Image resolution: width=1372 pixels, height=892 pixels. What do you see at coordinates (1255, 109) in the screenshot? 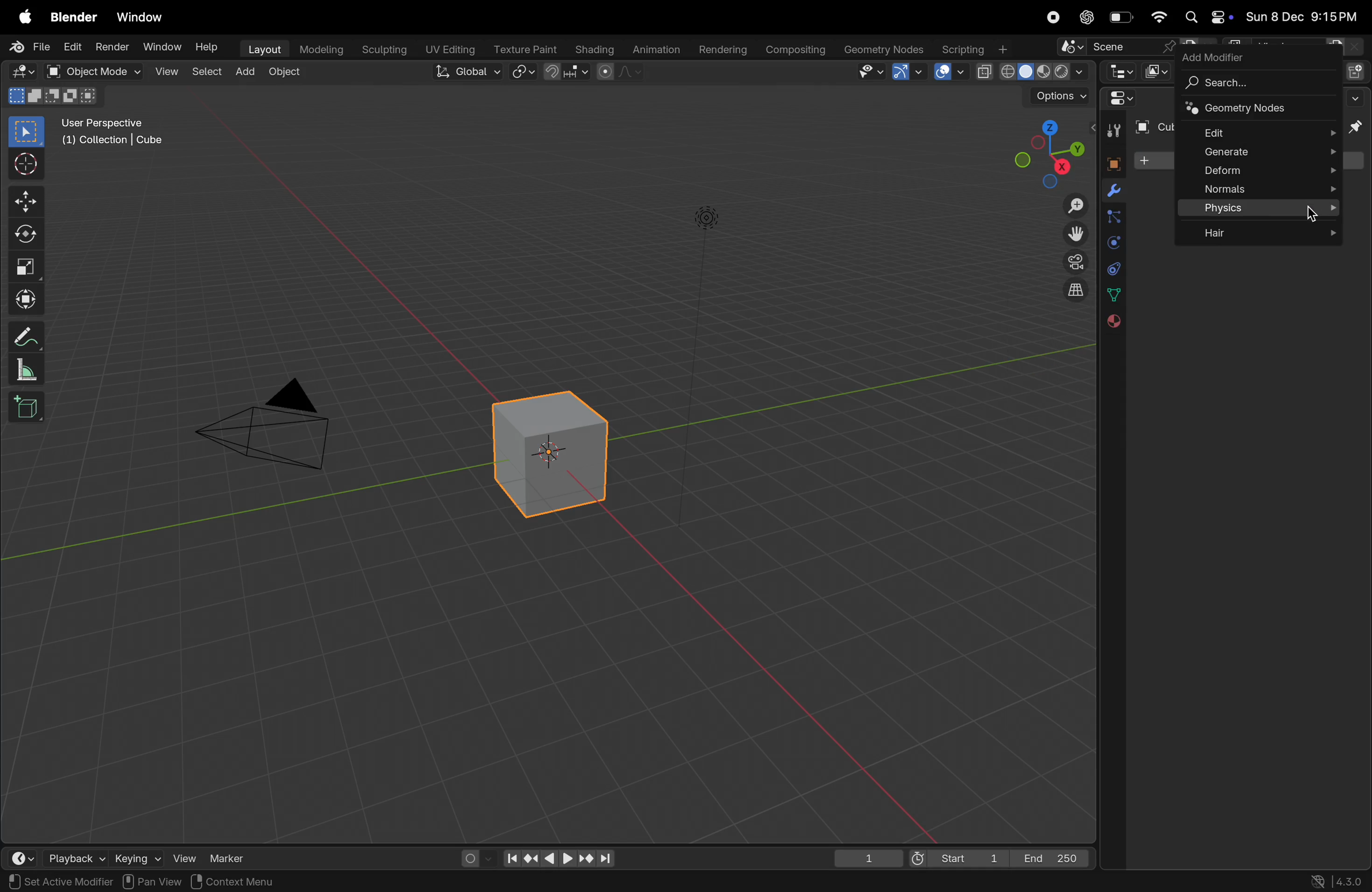
I see `Geometry modes` at bounding box center [1255, 109].